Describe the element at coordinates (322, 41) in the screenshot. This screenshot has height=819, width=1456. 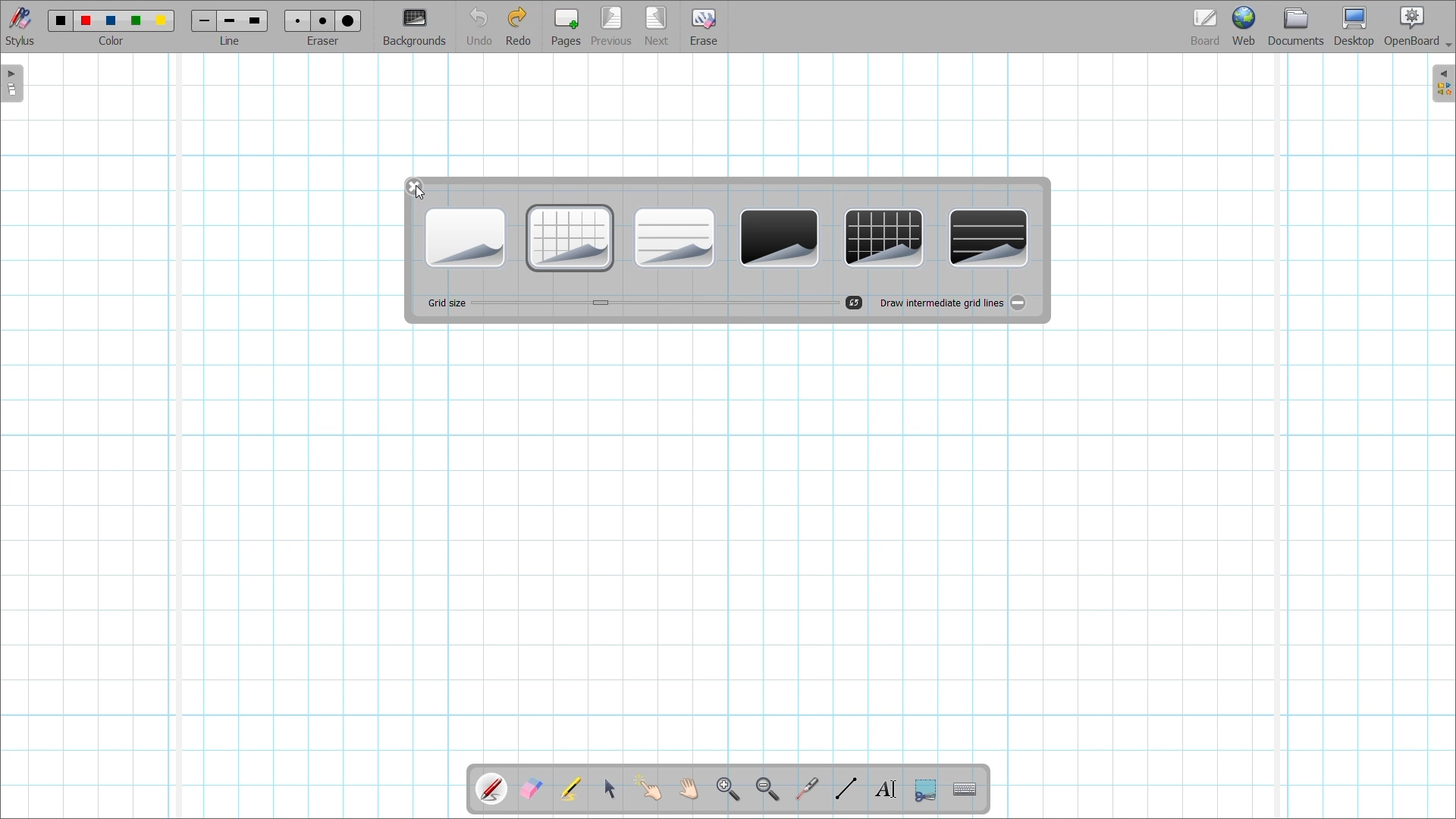
I see `Eraser ` at that location.